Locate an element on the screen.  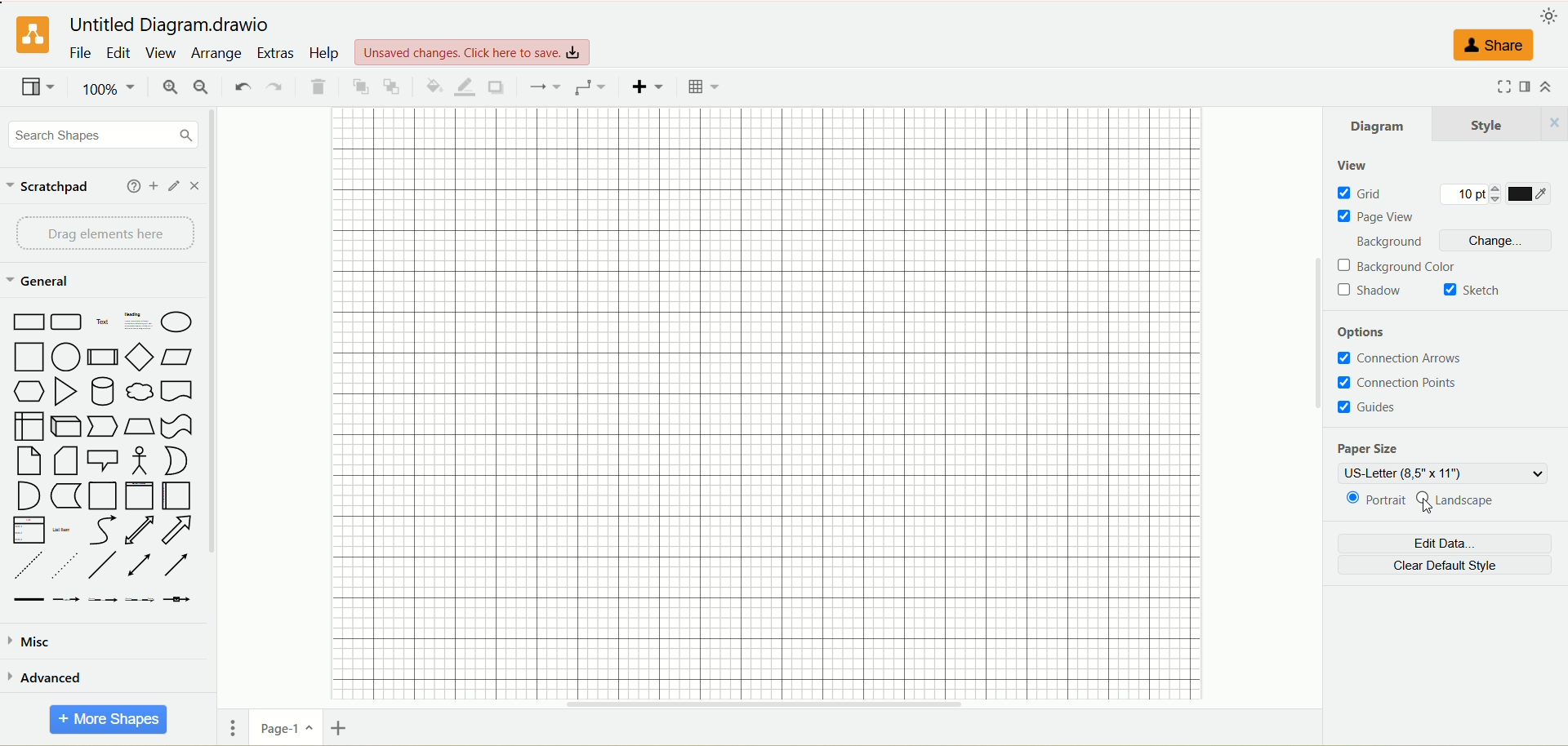
to front is located at coordinates (359, 87).